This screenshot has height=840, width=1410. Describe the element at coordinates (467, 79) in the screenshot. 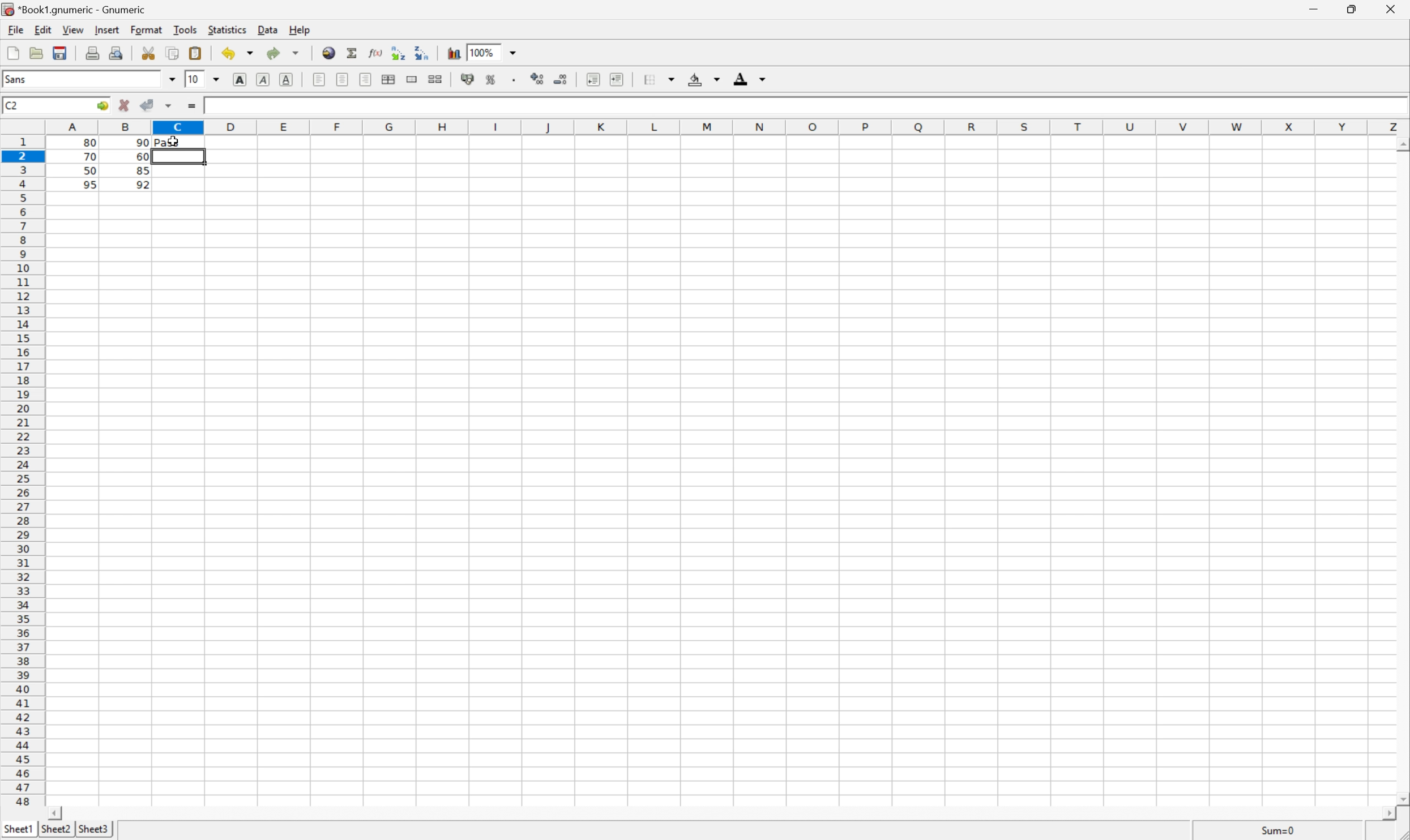

I see `Format the selection as accounting` at that location.